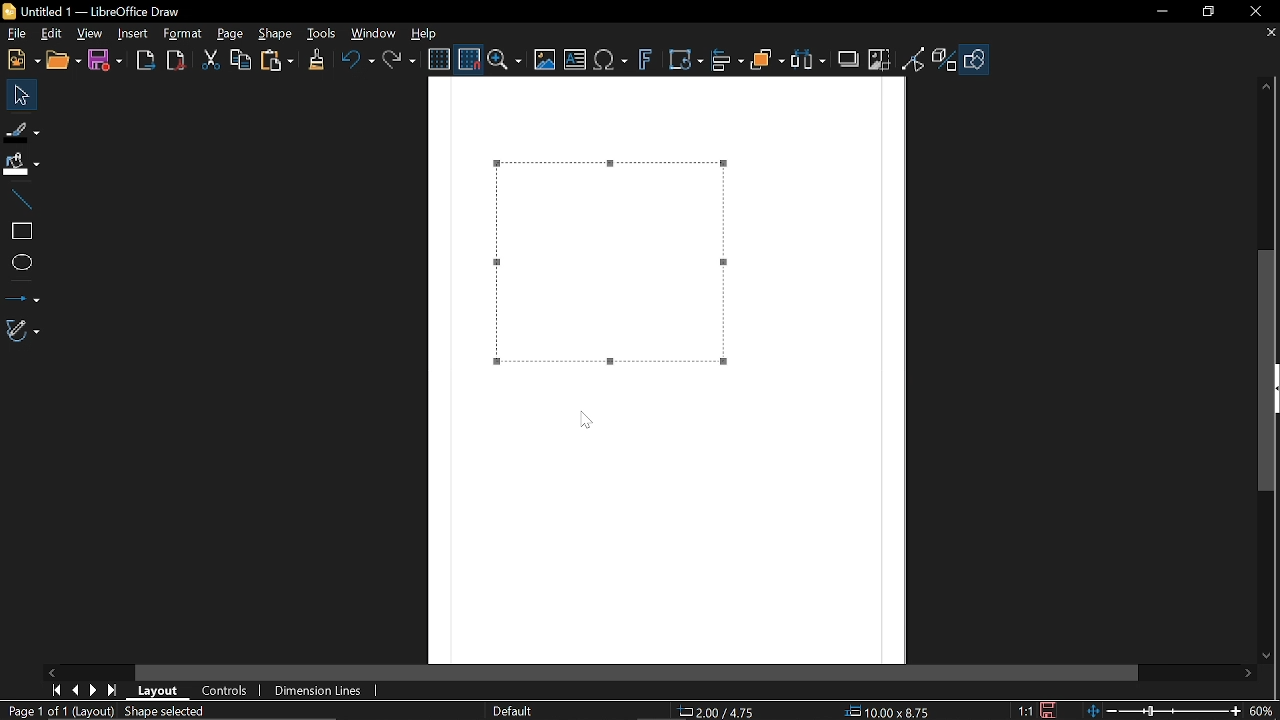 The height and width of the screenshot is (720, 1280). Describe the element at coordinates (1267, 87) in the screenshot. I see `Move up` at that location.